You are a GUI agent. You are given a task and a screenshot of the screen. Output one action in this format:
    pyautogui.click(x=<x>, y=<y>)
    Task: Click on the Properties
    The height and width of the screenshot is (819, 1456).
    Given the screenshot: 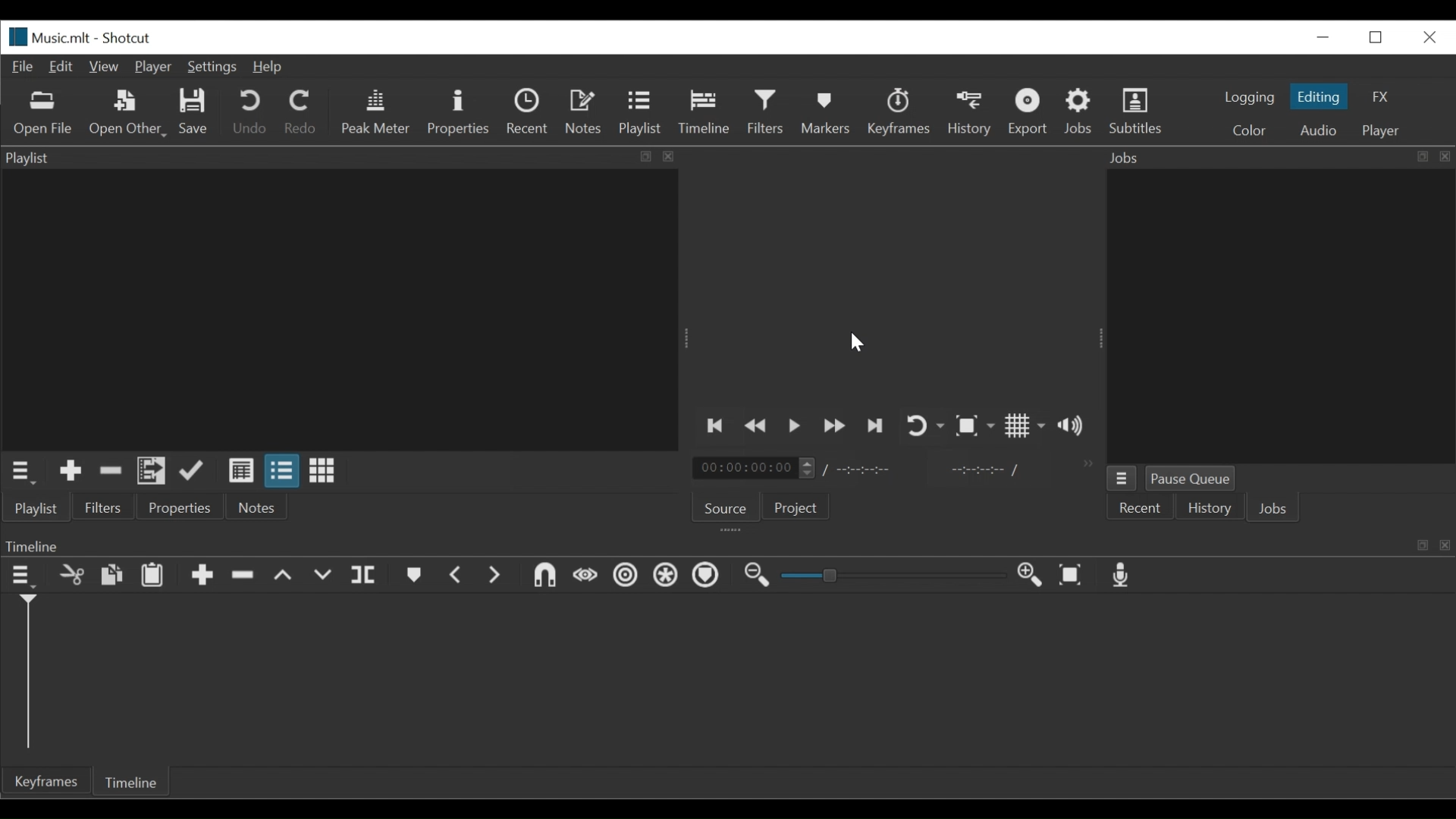 What is the action you would take?
    pyautogui.click(x=459, y=111)
    